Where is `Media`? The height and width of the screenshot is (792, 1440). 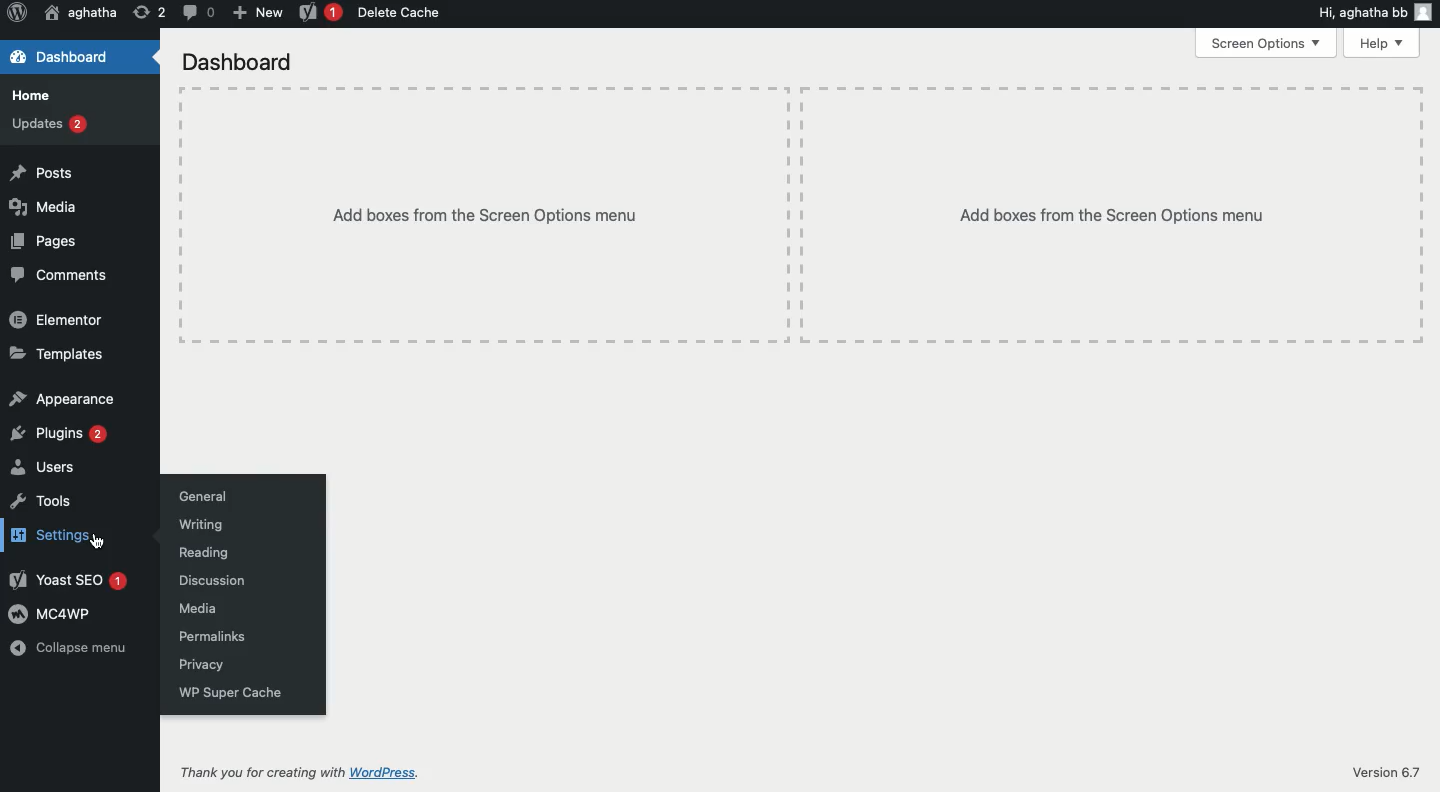 Media is located at coordinates (197, 609).